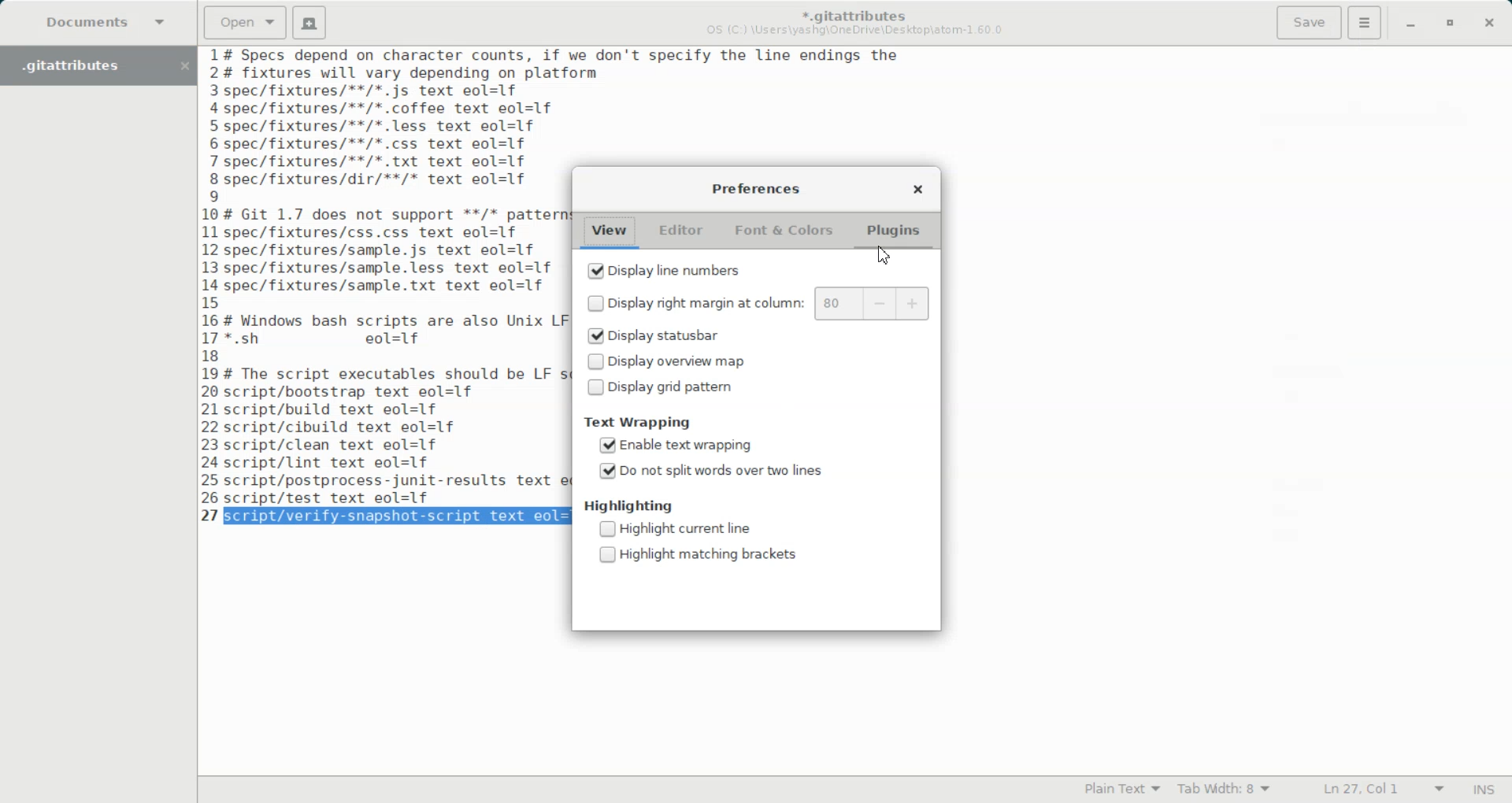 This screenshot has height=803, width=1512. Describe the element at coordinates (1410, 25) in the screenshot. I see `Minimize` at that location.